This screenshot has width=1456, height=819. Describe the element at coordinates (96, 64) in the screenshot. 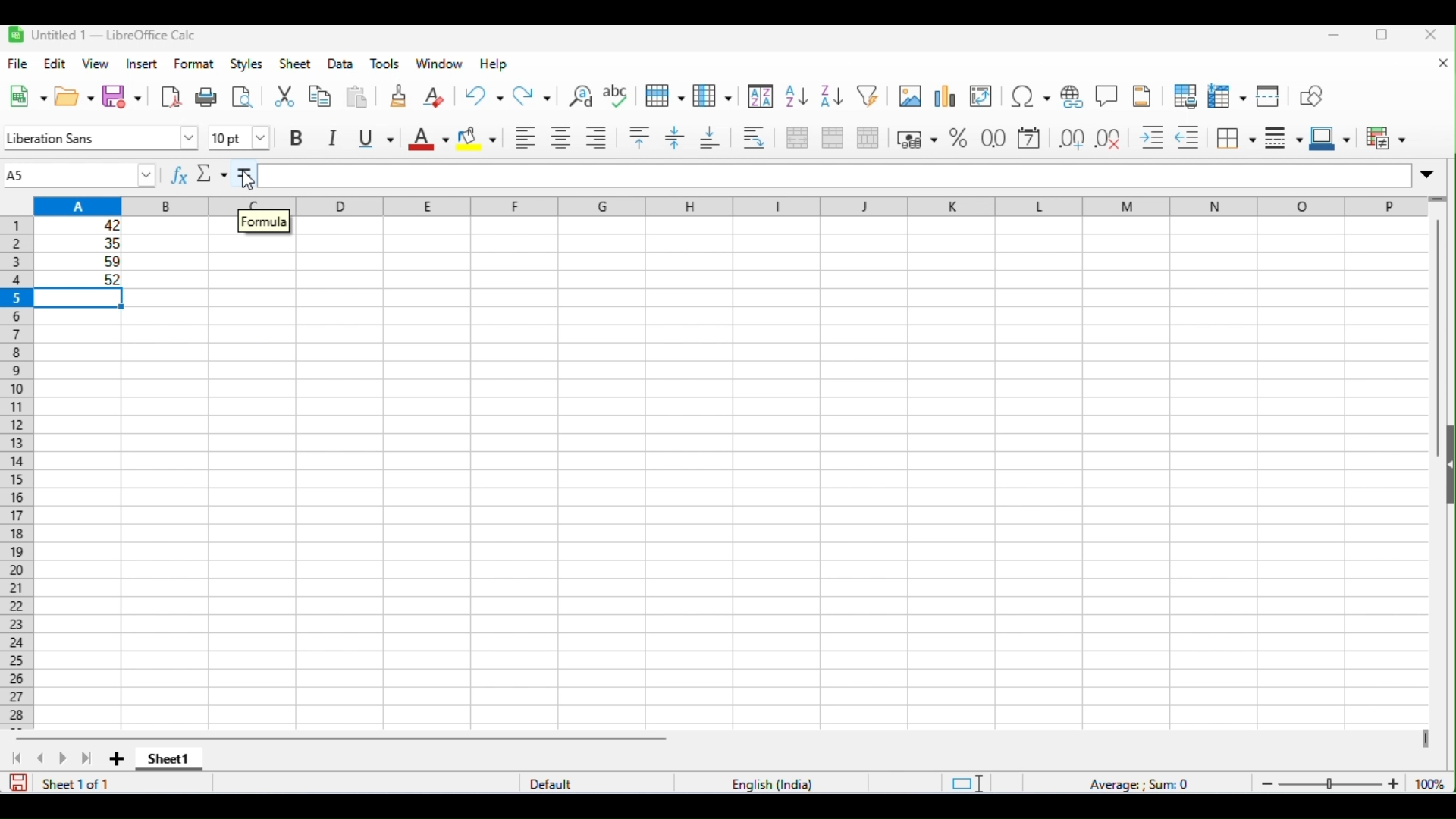

I see `view` at that location.